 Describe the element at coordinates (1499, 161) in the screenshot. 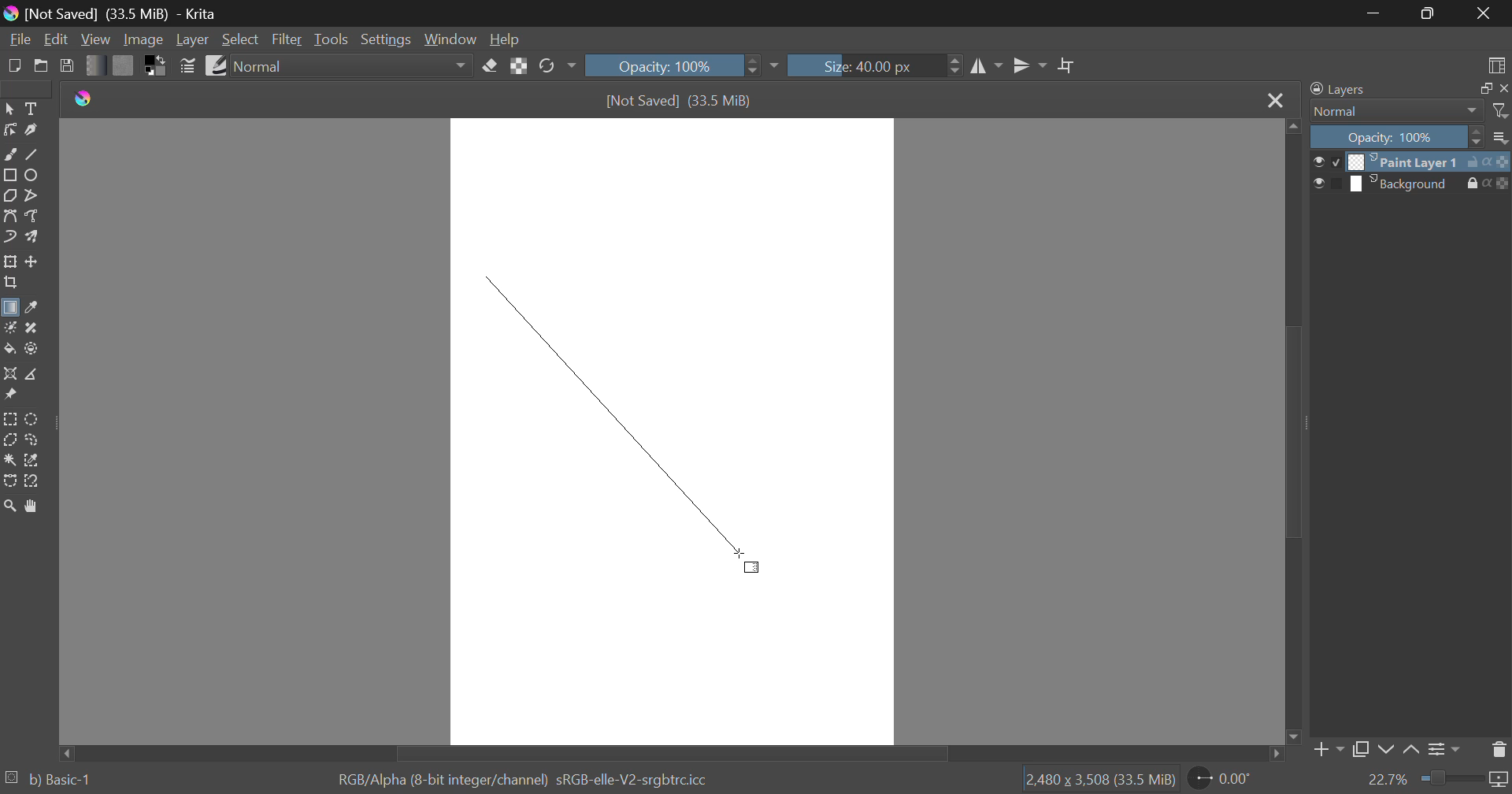

I see `icon` at that location.